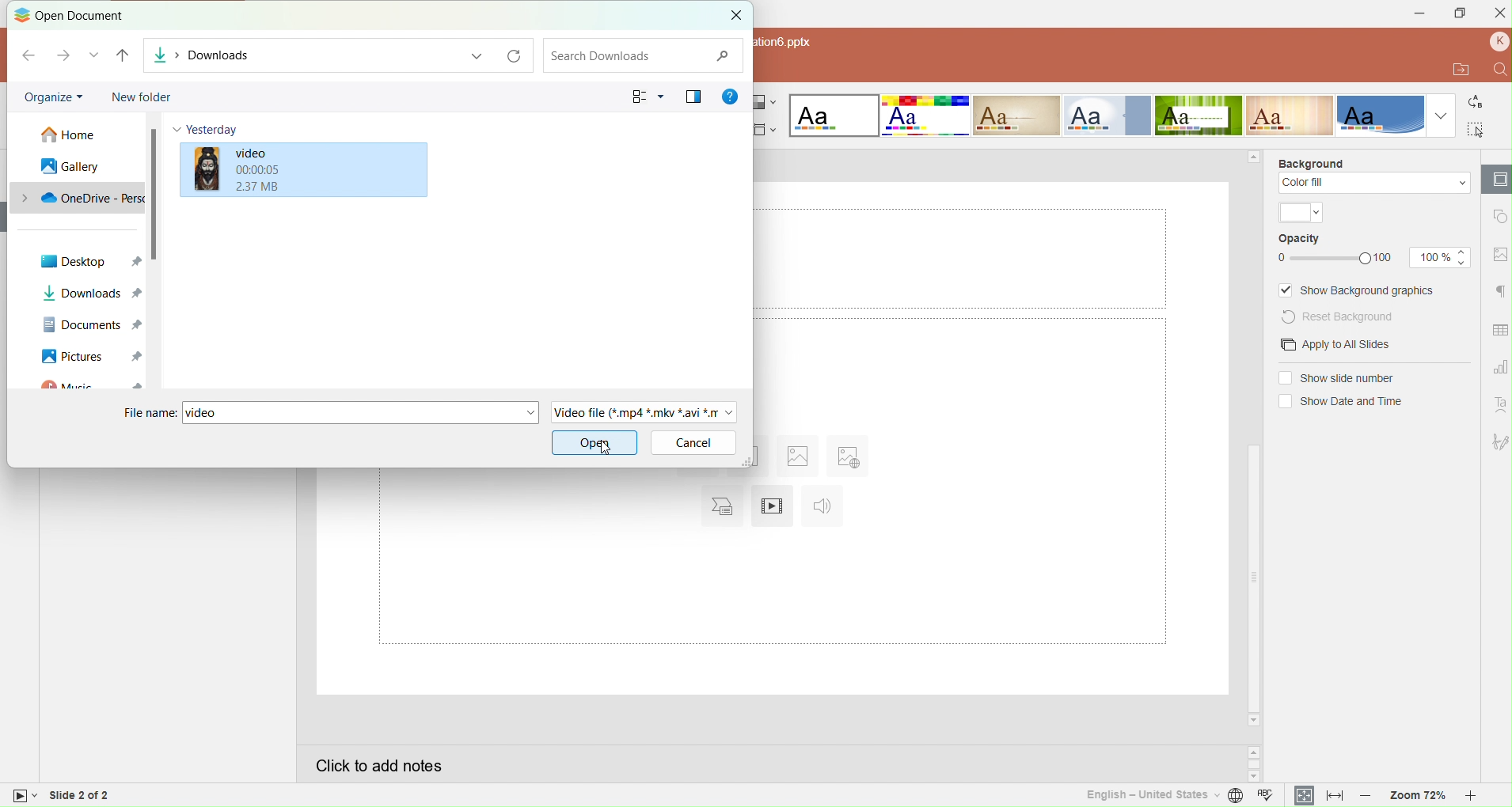 This screenshot has height=807, width=1512. I want to click on Set text language, so click(1149, 795).